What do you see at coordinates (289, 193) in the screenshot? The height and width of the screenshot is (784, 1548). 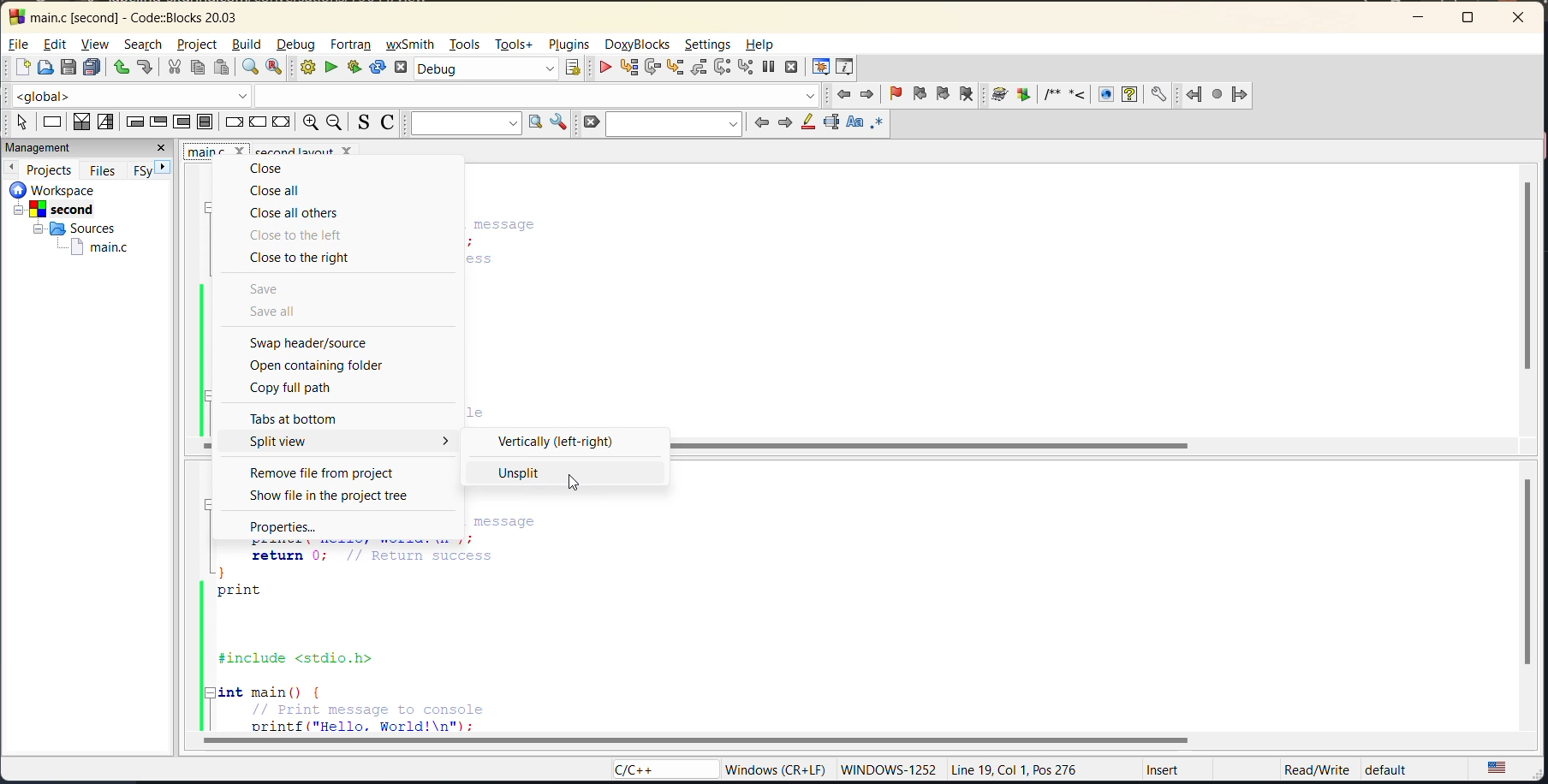 I see `close all` at bounding box center [289, 193].